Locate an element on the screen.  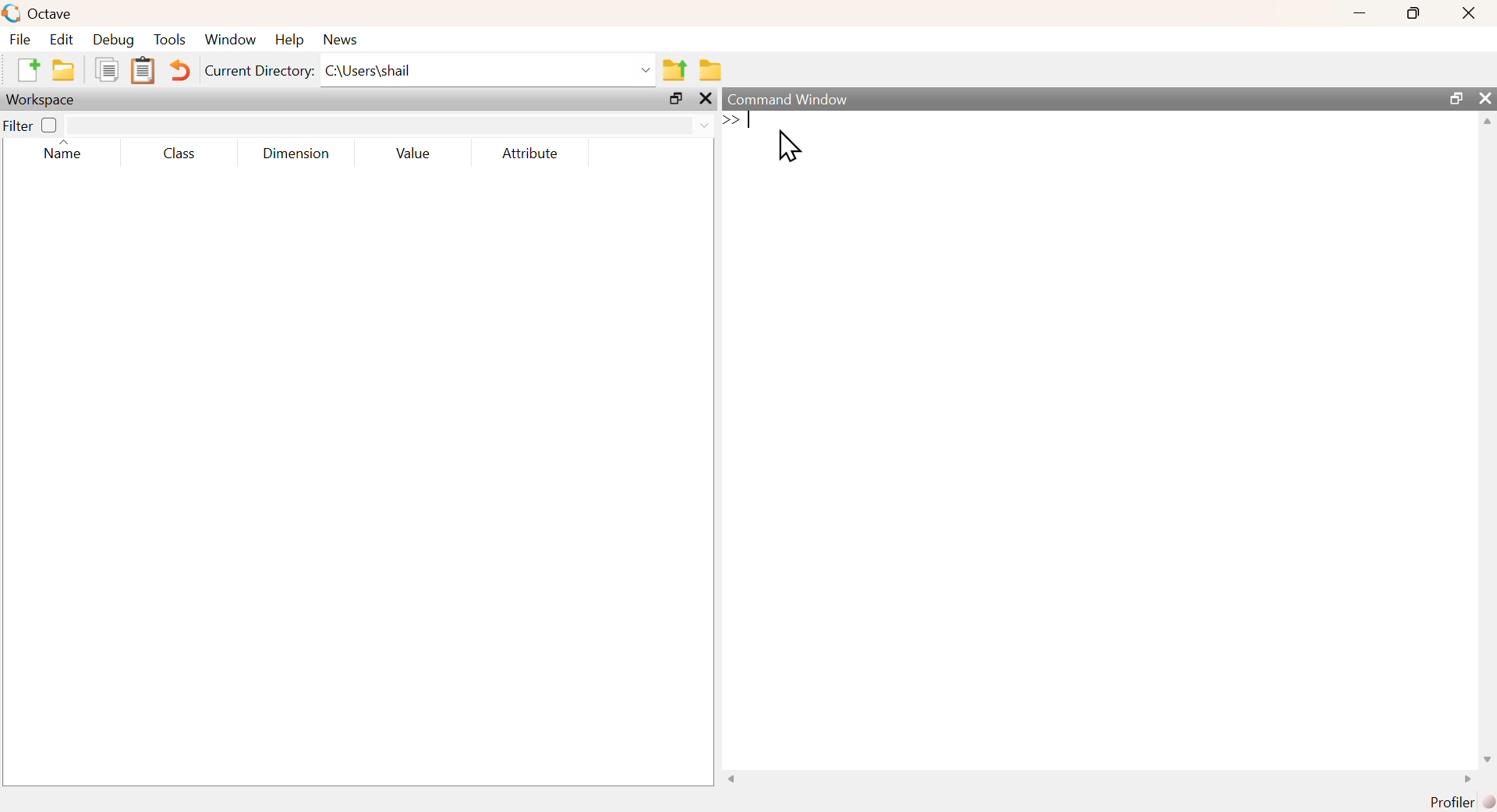
maximize is located at coordinates (675, 99).